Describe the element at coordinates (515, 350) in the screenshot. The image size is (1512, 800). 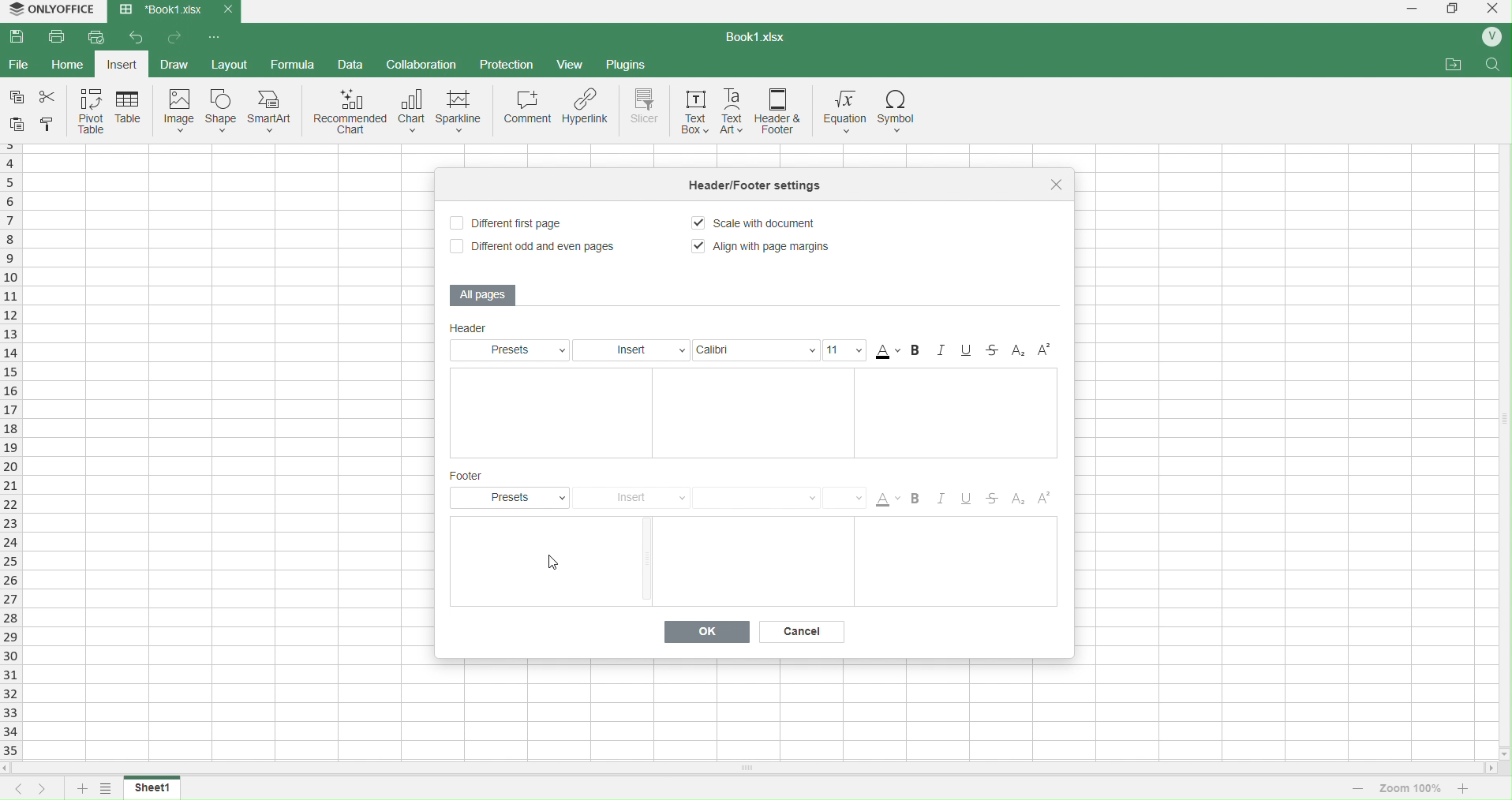
I see `Presets` at that location.